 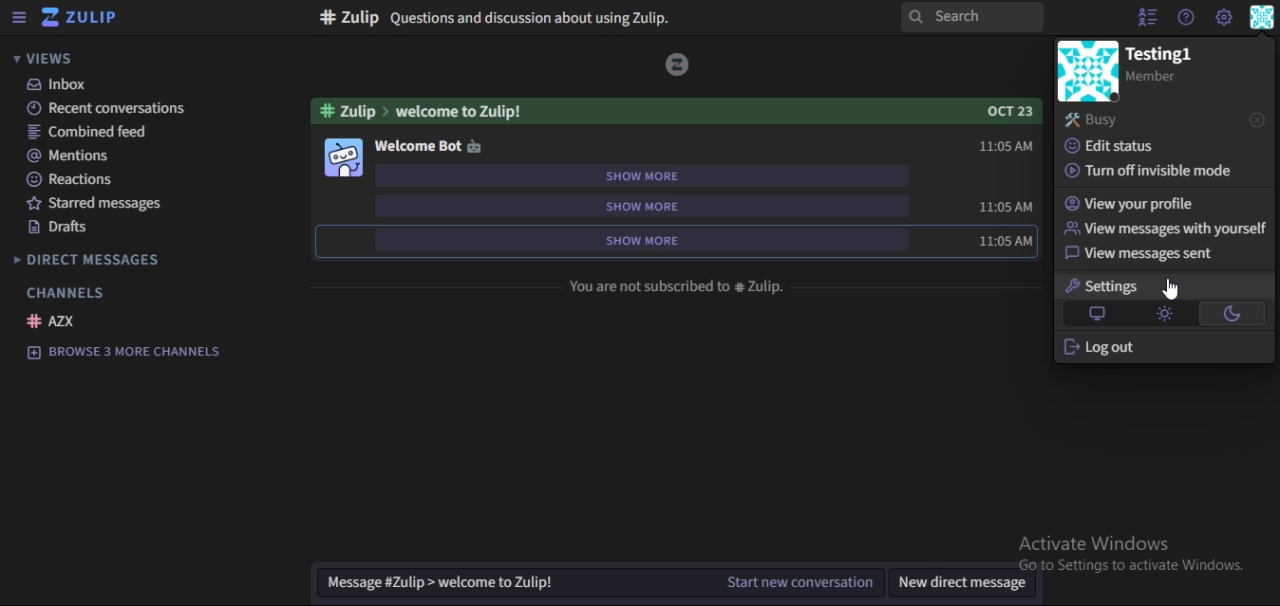 What do you see at coordinates (1088, 72) in the screenshot?
I see `image` at bounding box center [1088, 72].